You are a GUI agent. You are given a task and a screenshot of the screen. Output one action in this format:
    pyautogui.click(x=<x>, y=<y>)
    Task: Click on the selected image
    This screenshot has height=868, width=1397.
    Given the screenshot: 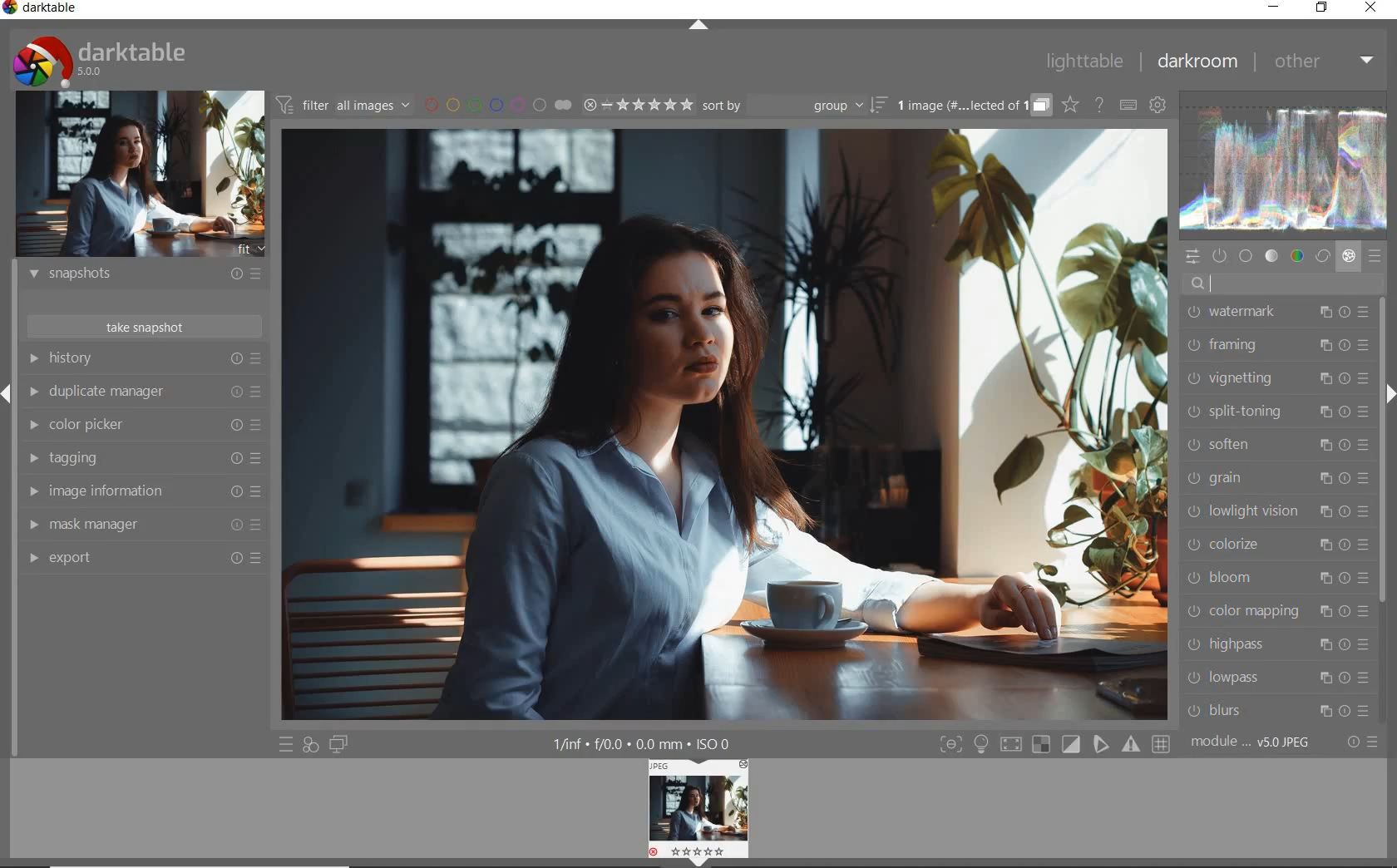 What is the action you would take?
    pyautogui.click(x=725, y=426)
    